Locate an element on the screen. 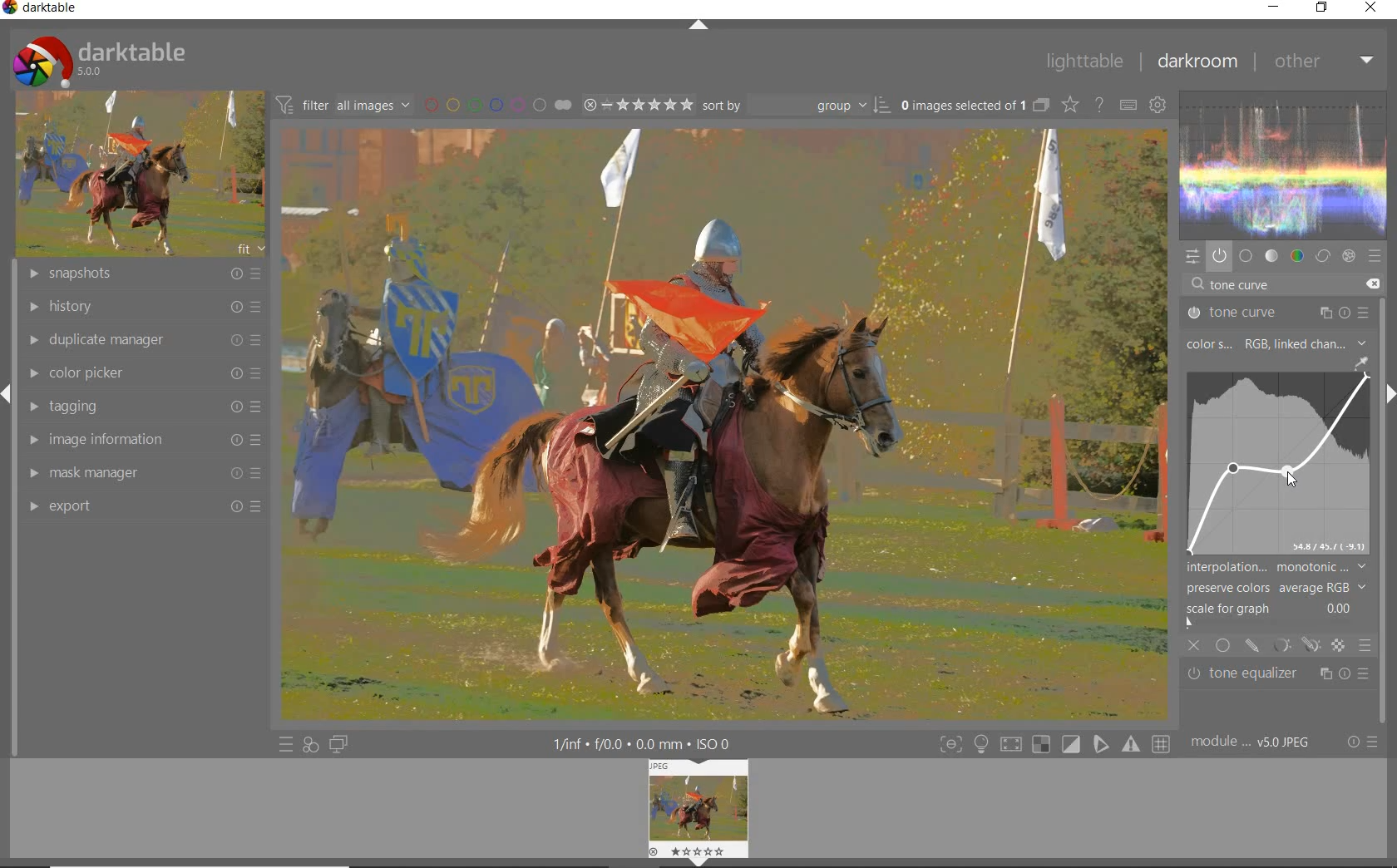  presets is located at coordinates (1375, 257).